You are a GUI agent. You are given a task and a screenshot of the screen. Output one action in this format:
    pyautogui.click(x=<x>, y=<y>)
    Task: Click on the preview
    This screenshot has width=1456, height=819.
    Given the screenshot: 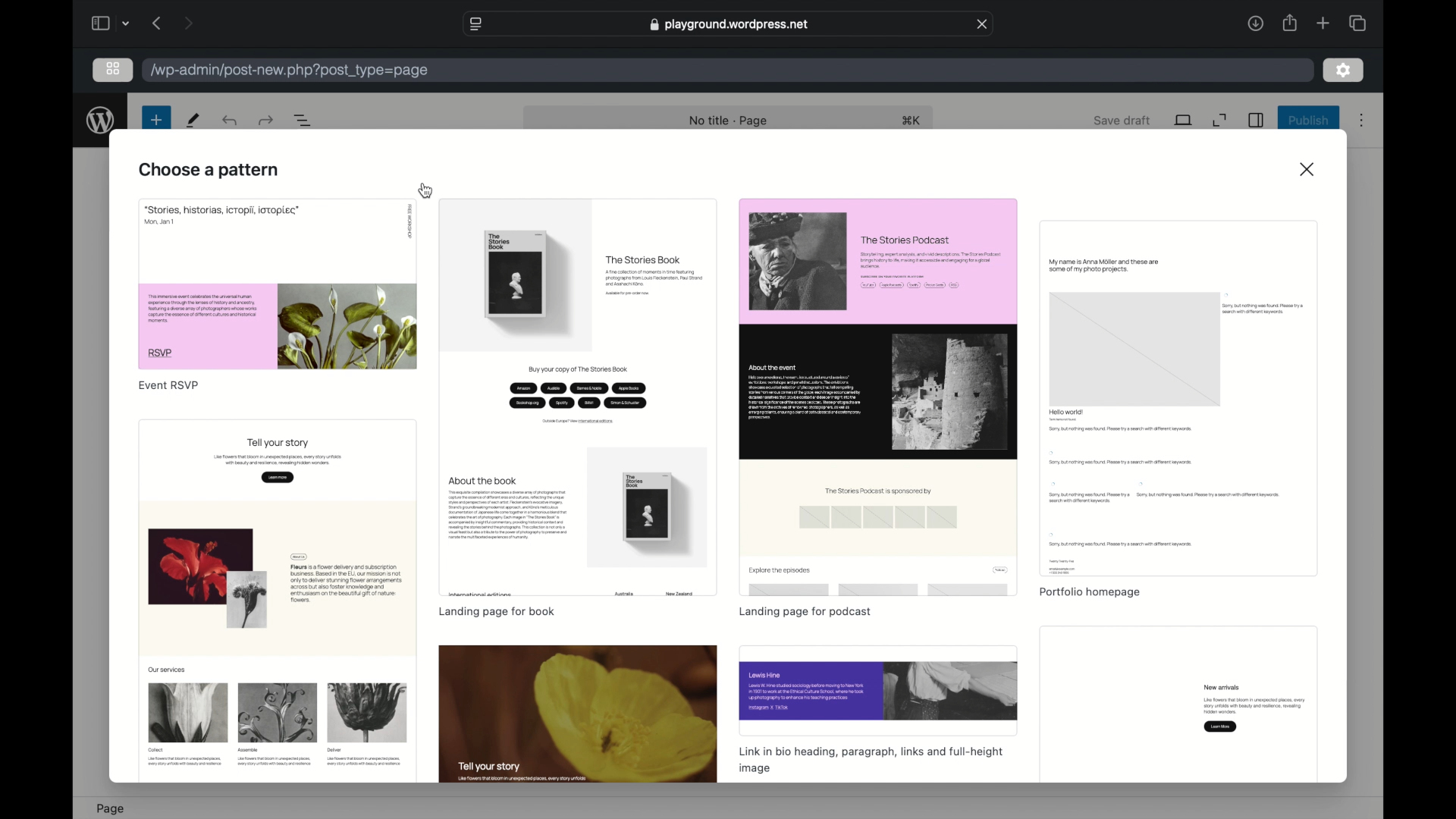 What is the action you would take?
    pyautogui.click(x=878, y=690)
    